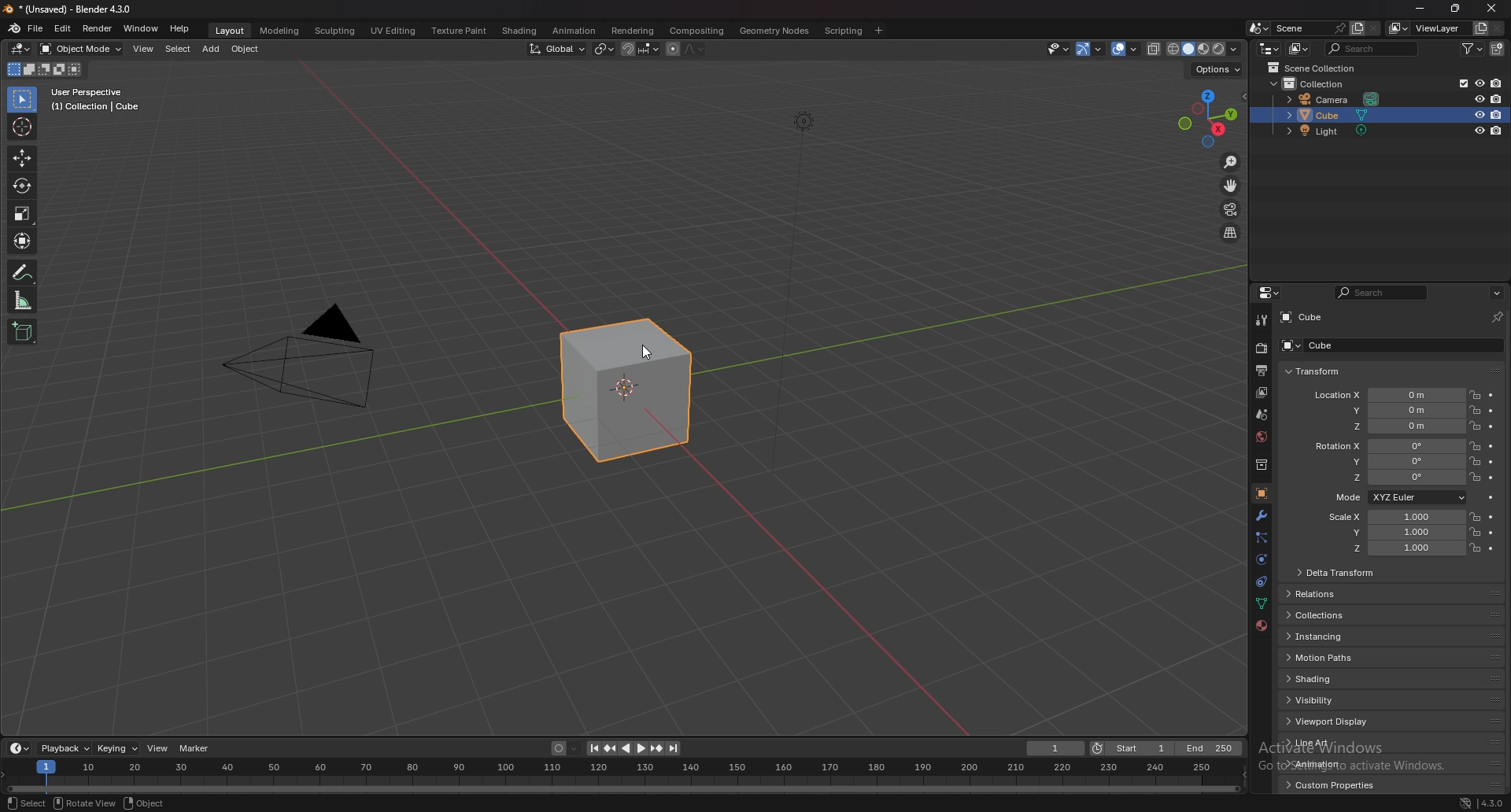 The height and width of the screenshot is (812, 1511). I want to click on cube, so click(1334, 115).